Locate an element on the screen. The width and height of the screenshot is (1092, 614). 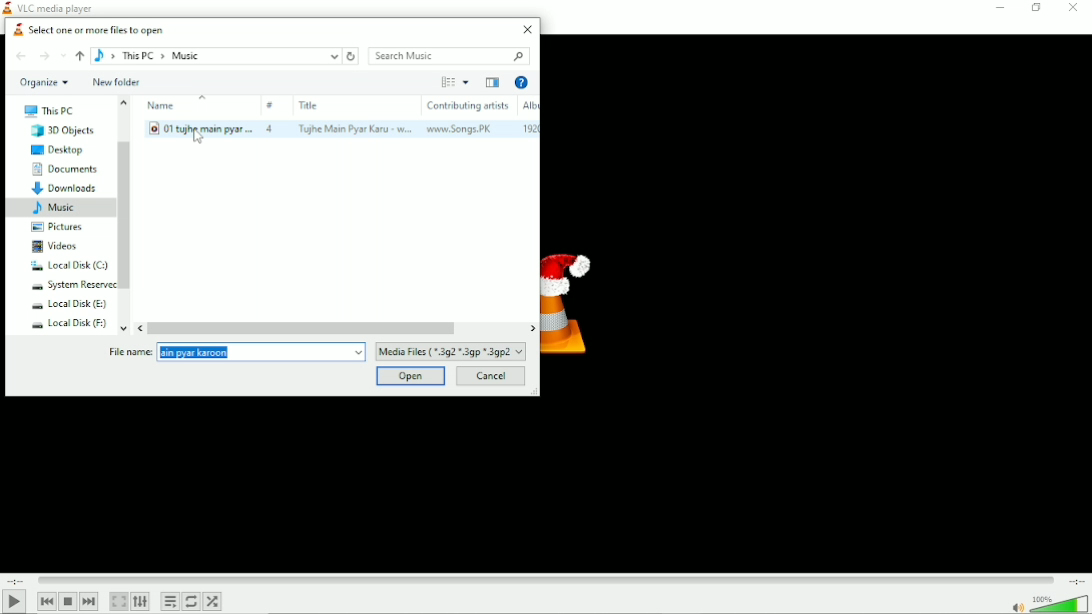
Pictures is located at coordinates (58, 227).